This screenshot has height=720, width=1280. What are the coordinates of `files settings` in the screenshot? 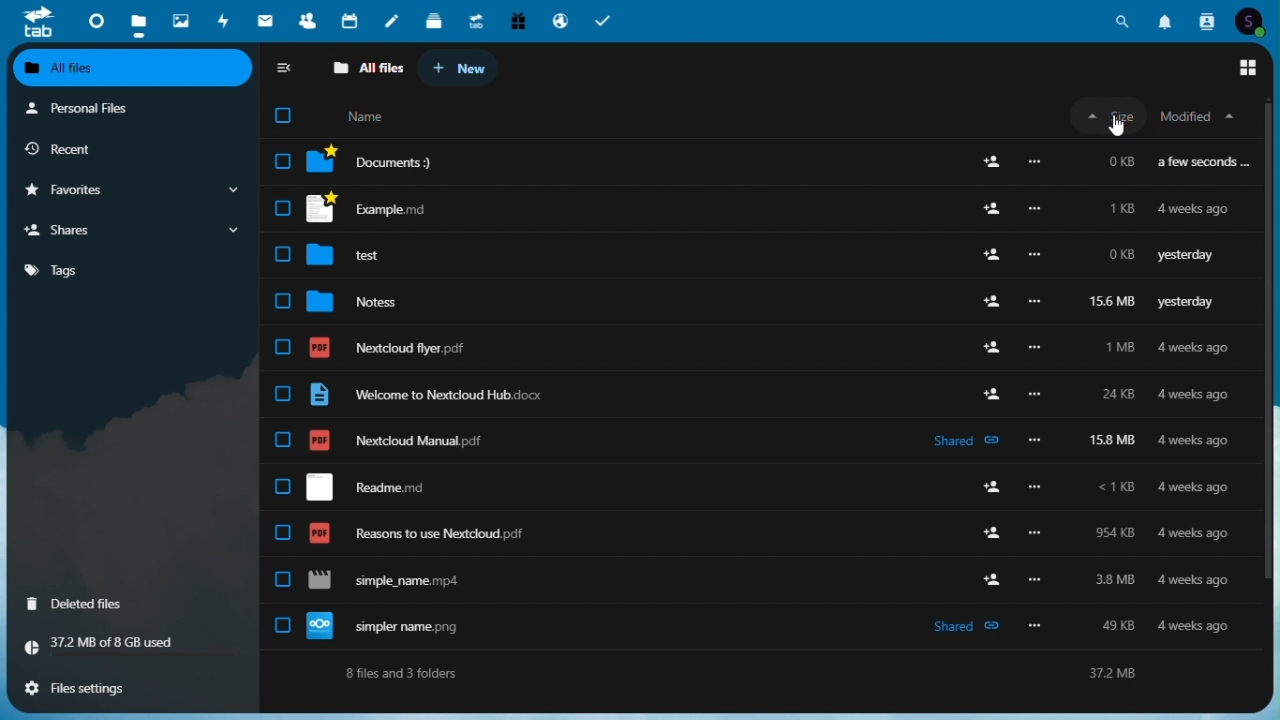 It's located at (135, 691).